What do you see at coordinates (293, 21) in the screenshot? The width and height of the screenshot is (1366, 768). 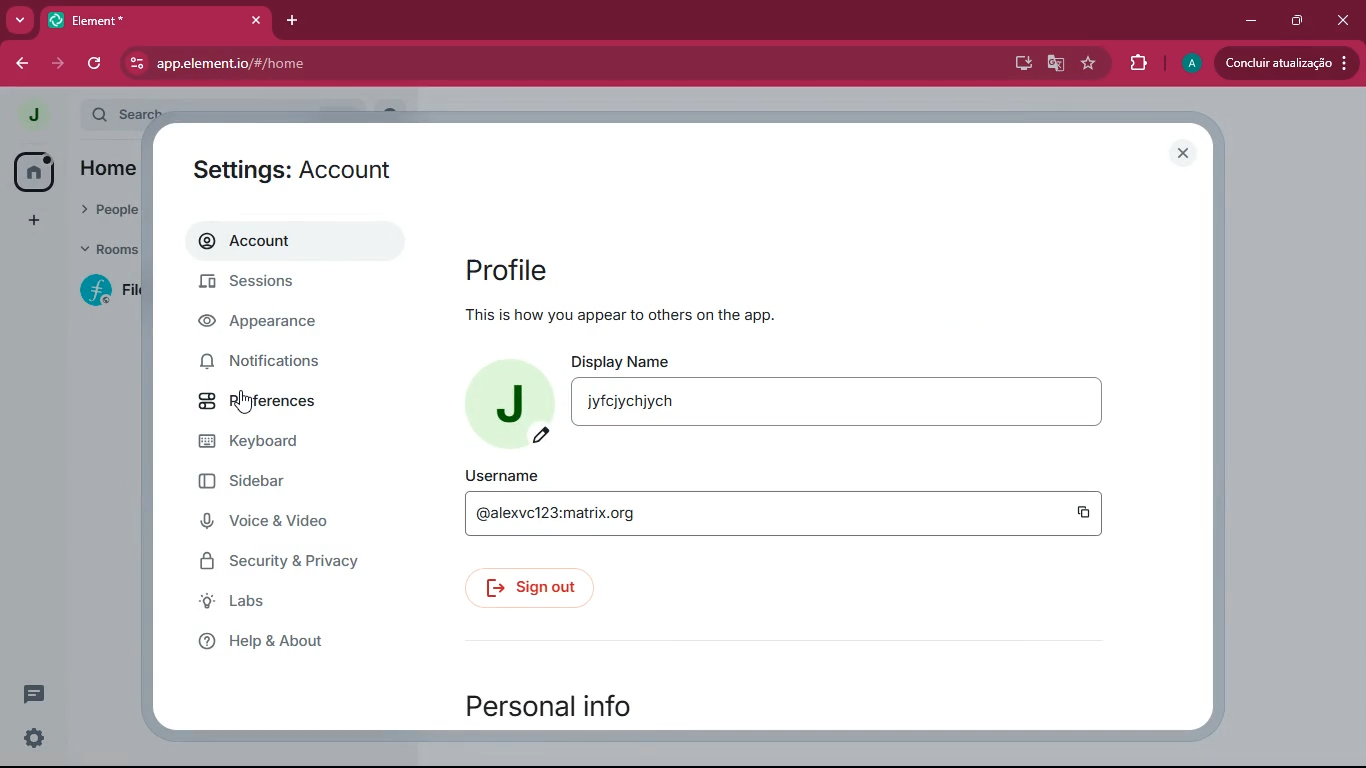 I see `add tab` at bounding box center [293, 21].